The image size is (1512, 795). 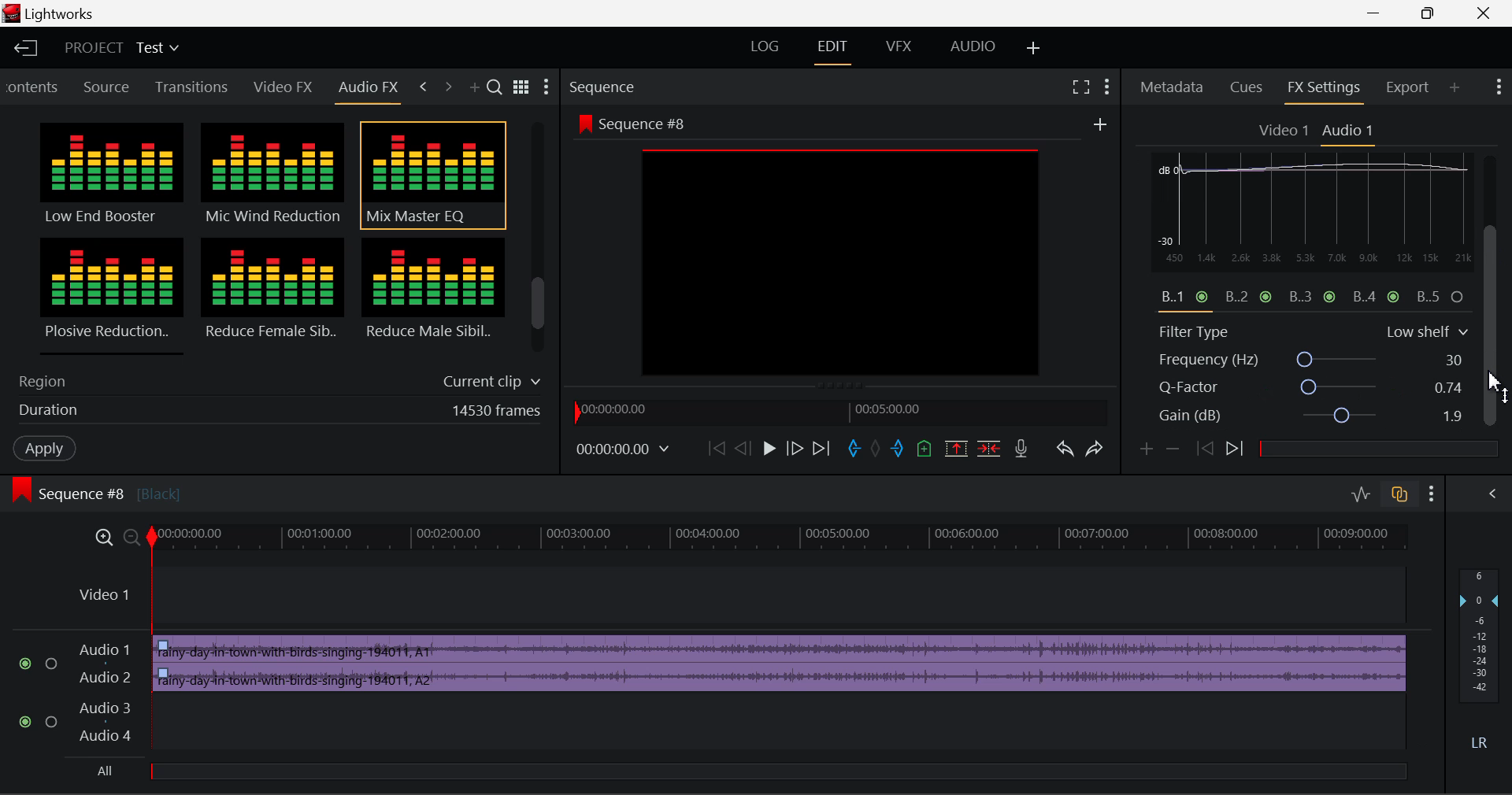 I want to click on Search, so click(x=497, y=88).